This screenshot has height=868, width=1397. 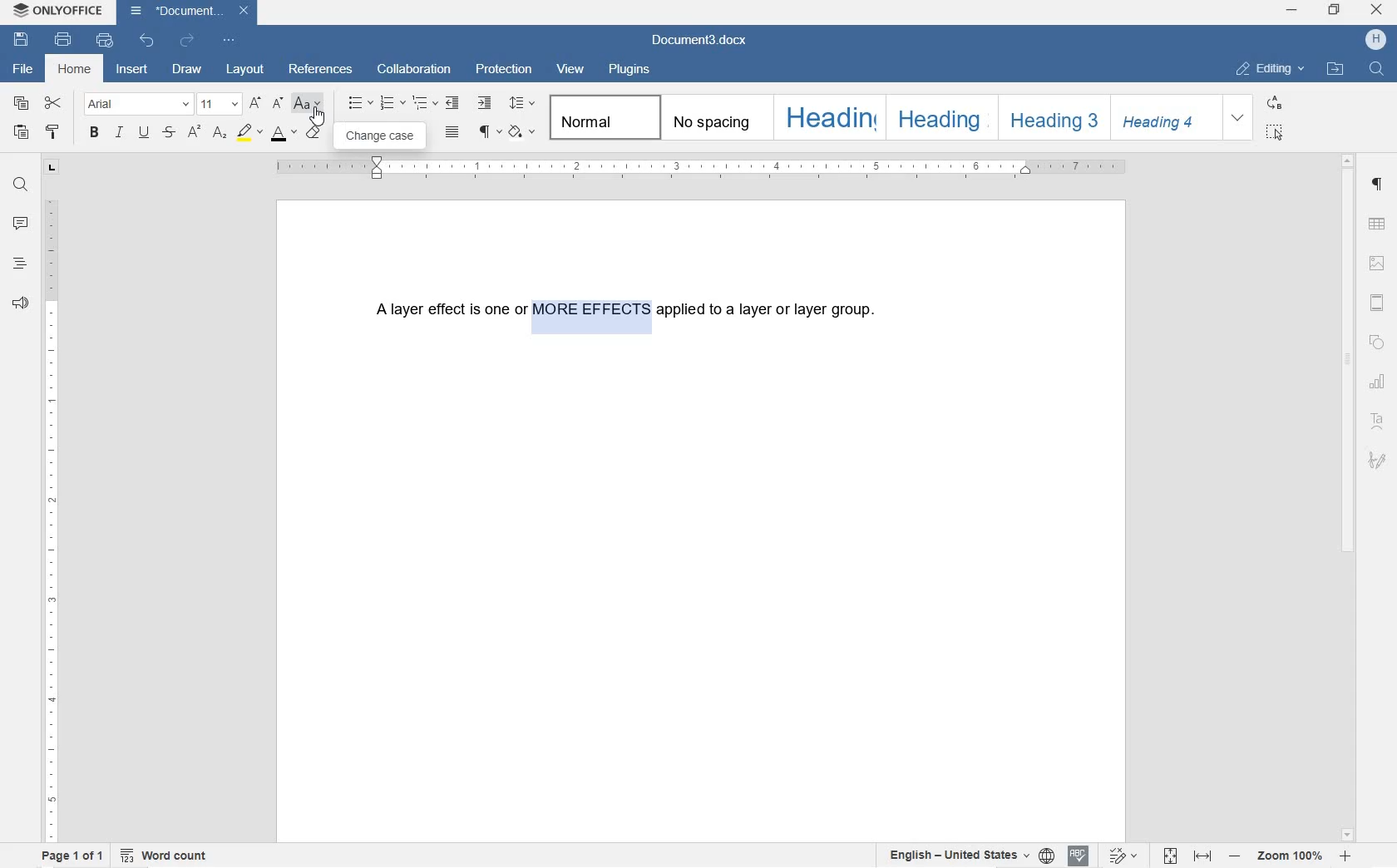 What do you see at coordinates (1375, 68) in the screenshot?
I see `FIND` at bounding box center [1375, 68].